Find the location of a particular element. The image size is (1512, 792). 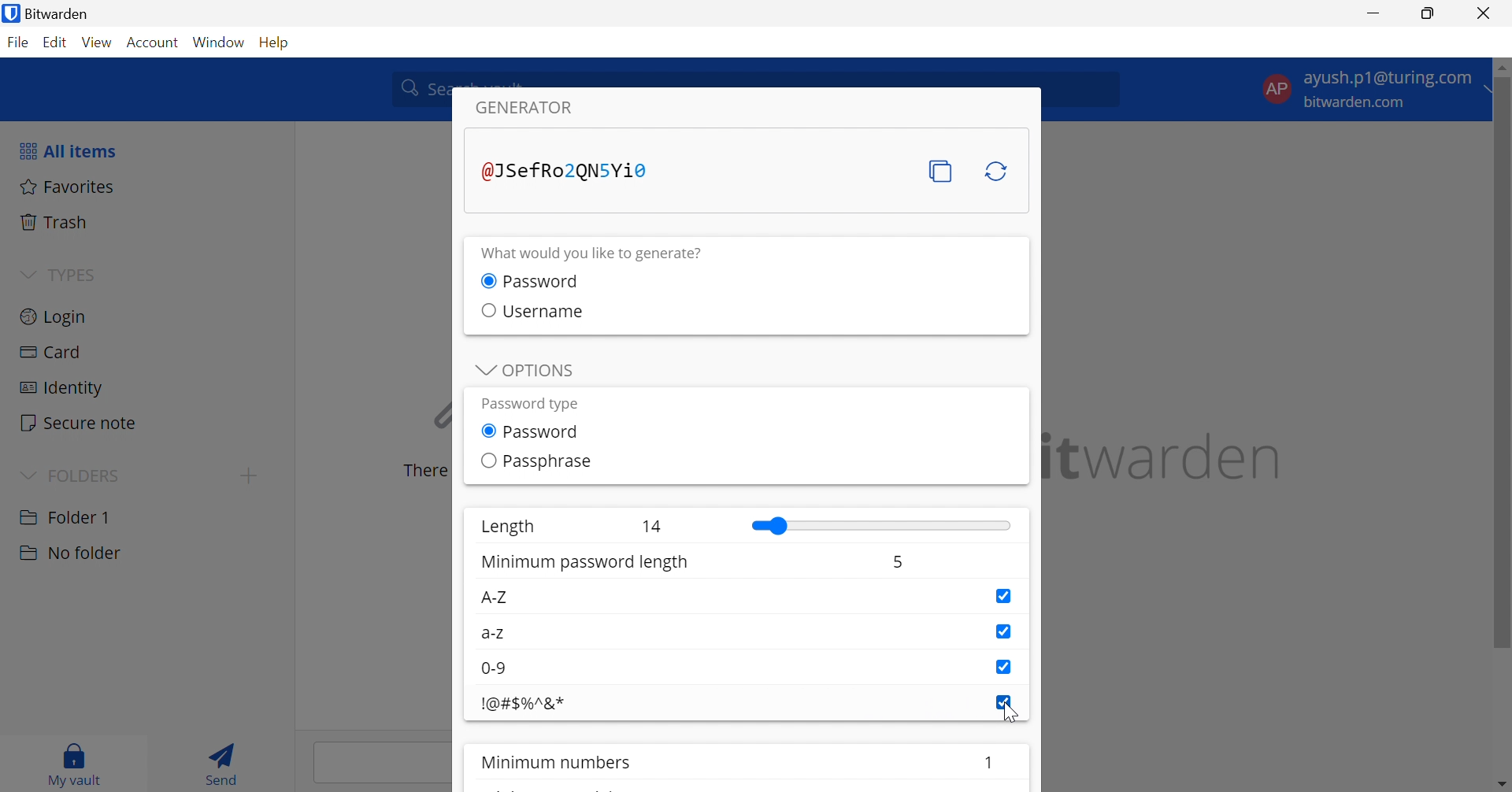

TYPES is located at coordinates (73, 274).